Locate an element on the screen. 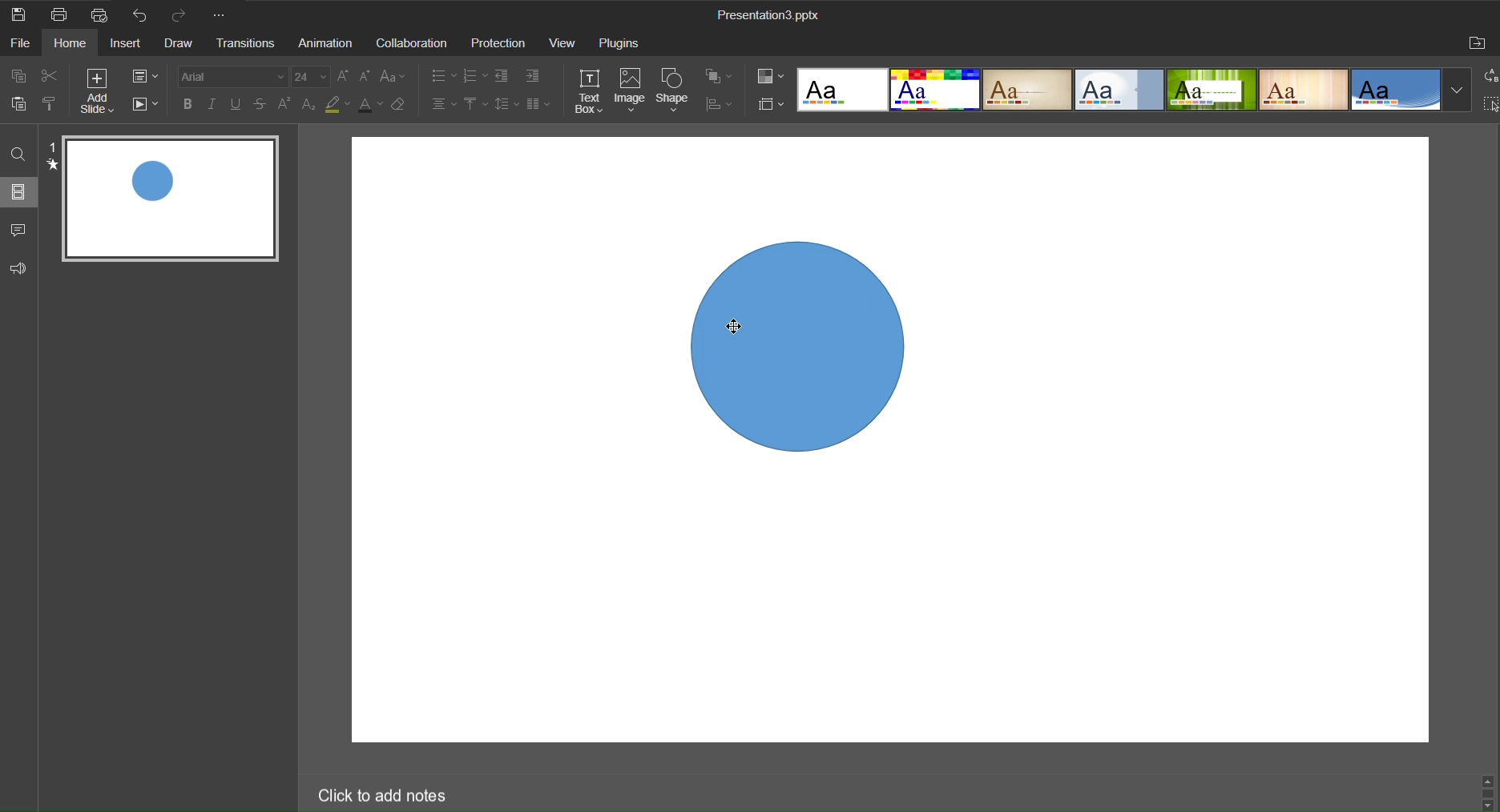 The width and height of the screenshot is (1500, 812). Lists is located at coordinates (439, 74).